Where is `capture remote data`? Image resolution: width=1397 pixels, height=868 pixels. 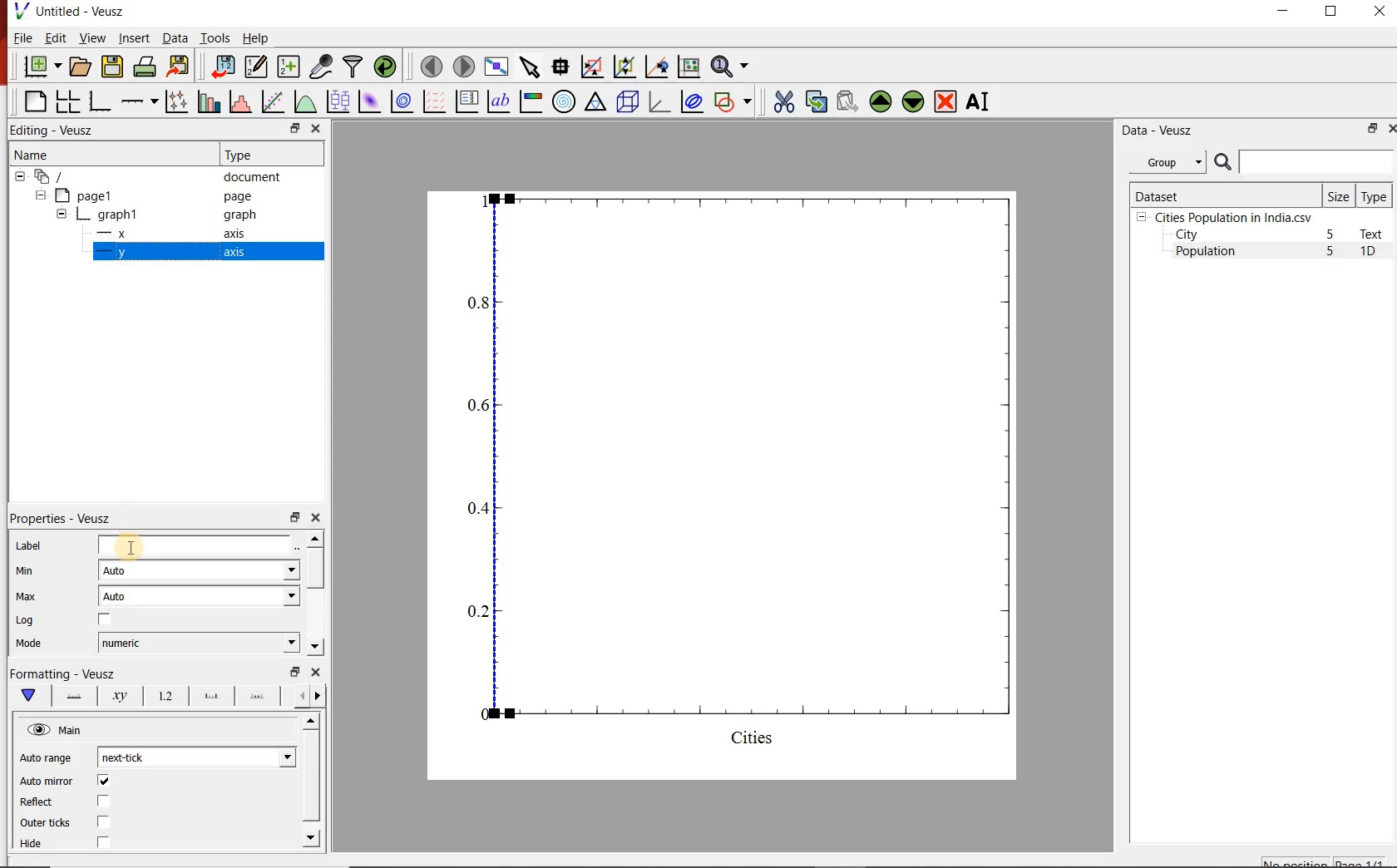
capture remote data is located at coordinates (319, 67).